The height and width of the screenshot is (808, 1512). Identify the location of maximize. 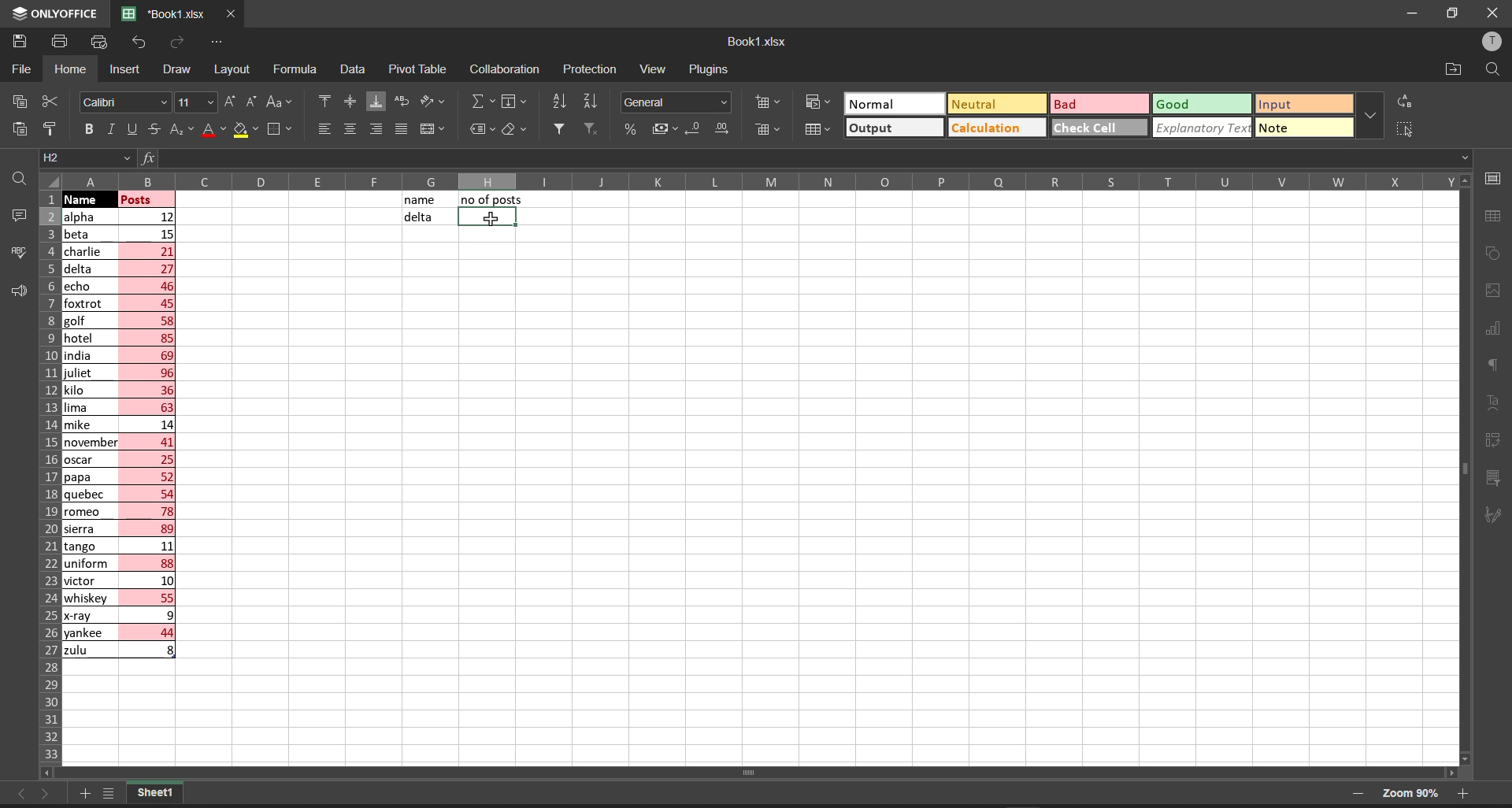
(1455, 14).